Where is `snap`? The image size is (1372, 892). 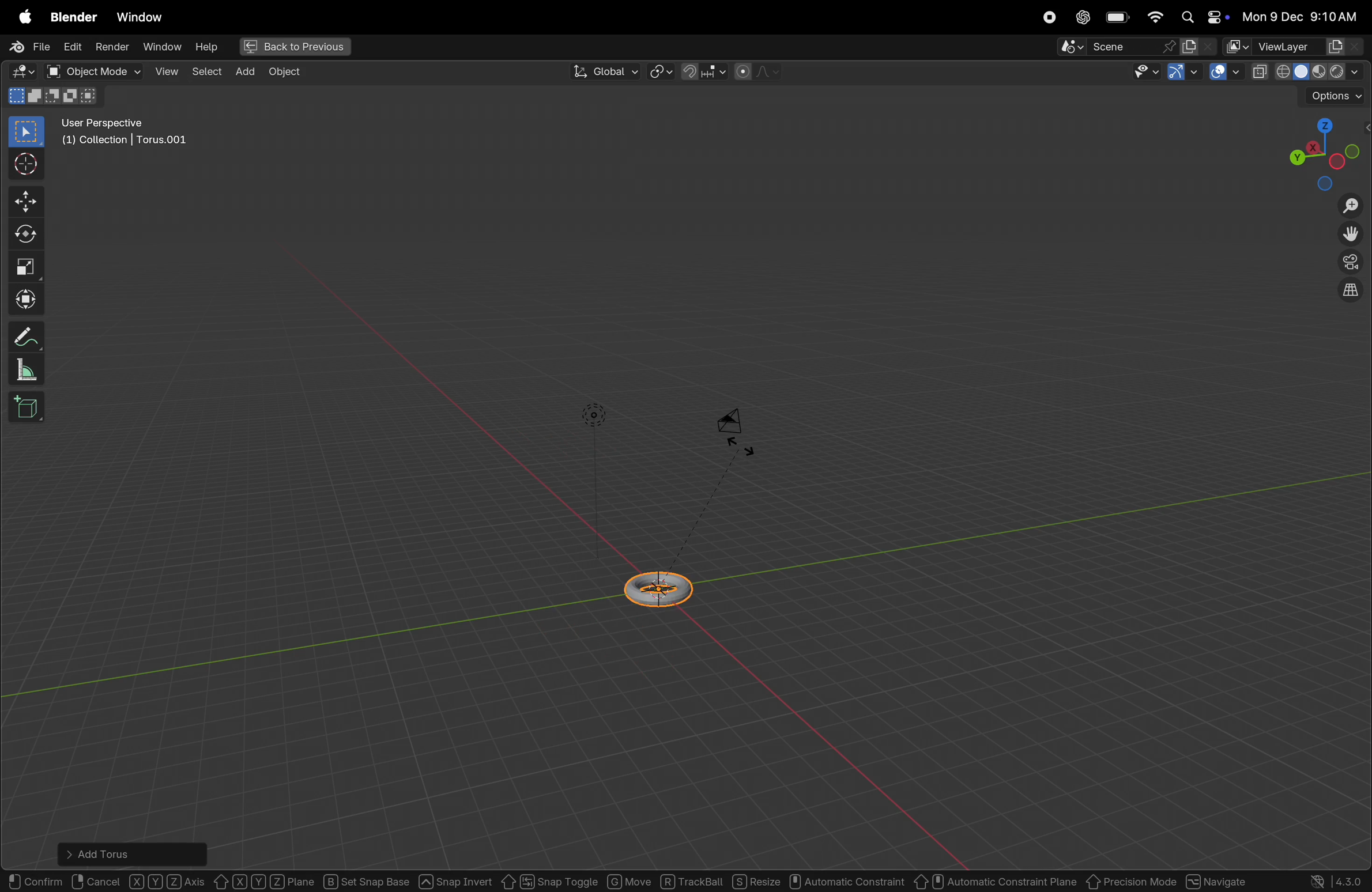 snap is located at coordinates (702, 71).